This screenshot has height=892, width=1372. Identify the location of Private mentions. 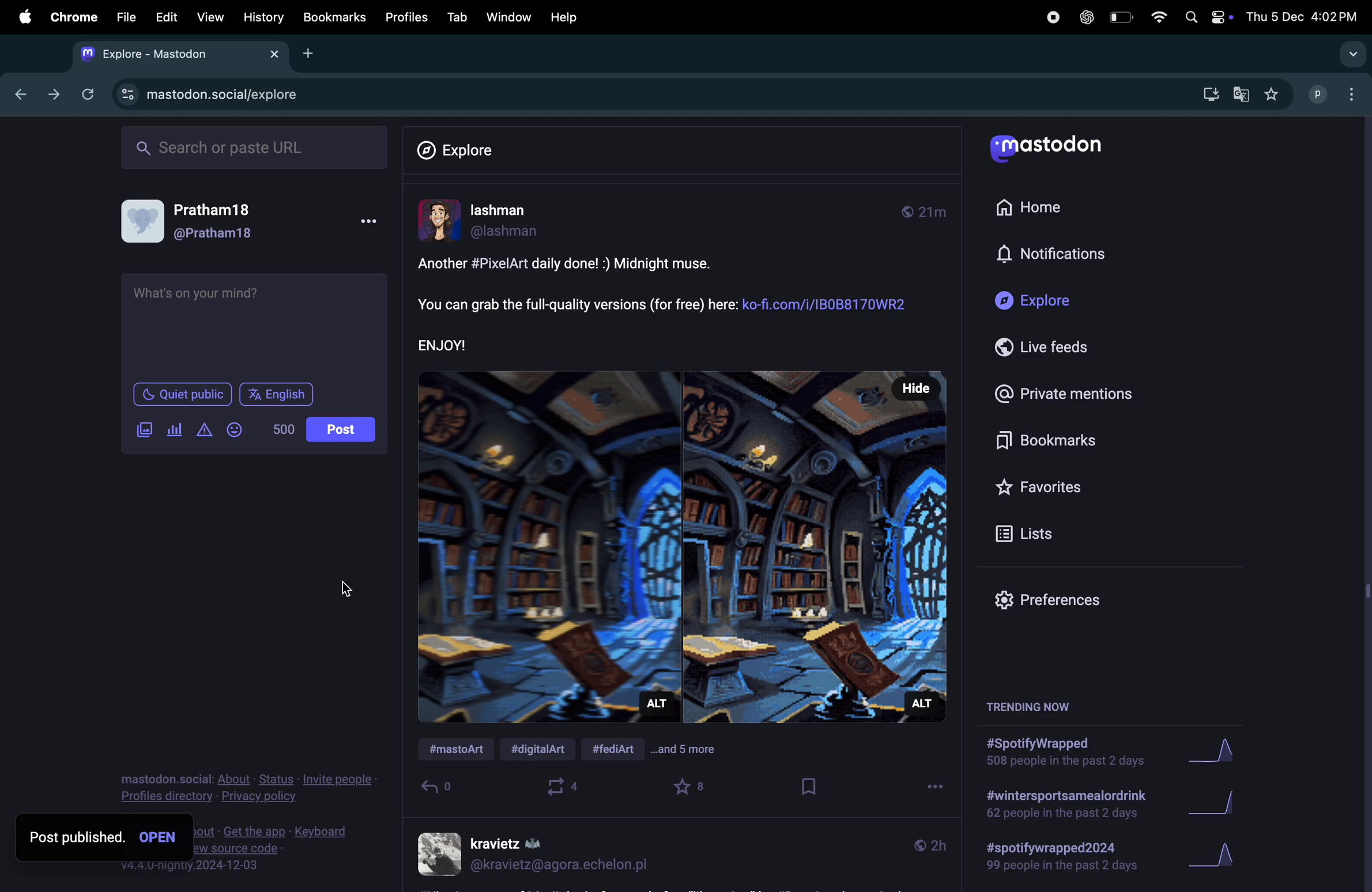
(1064, 393).